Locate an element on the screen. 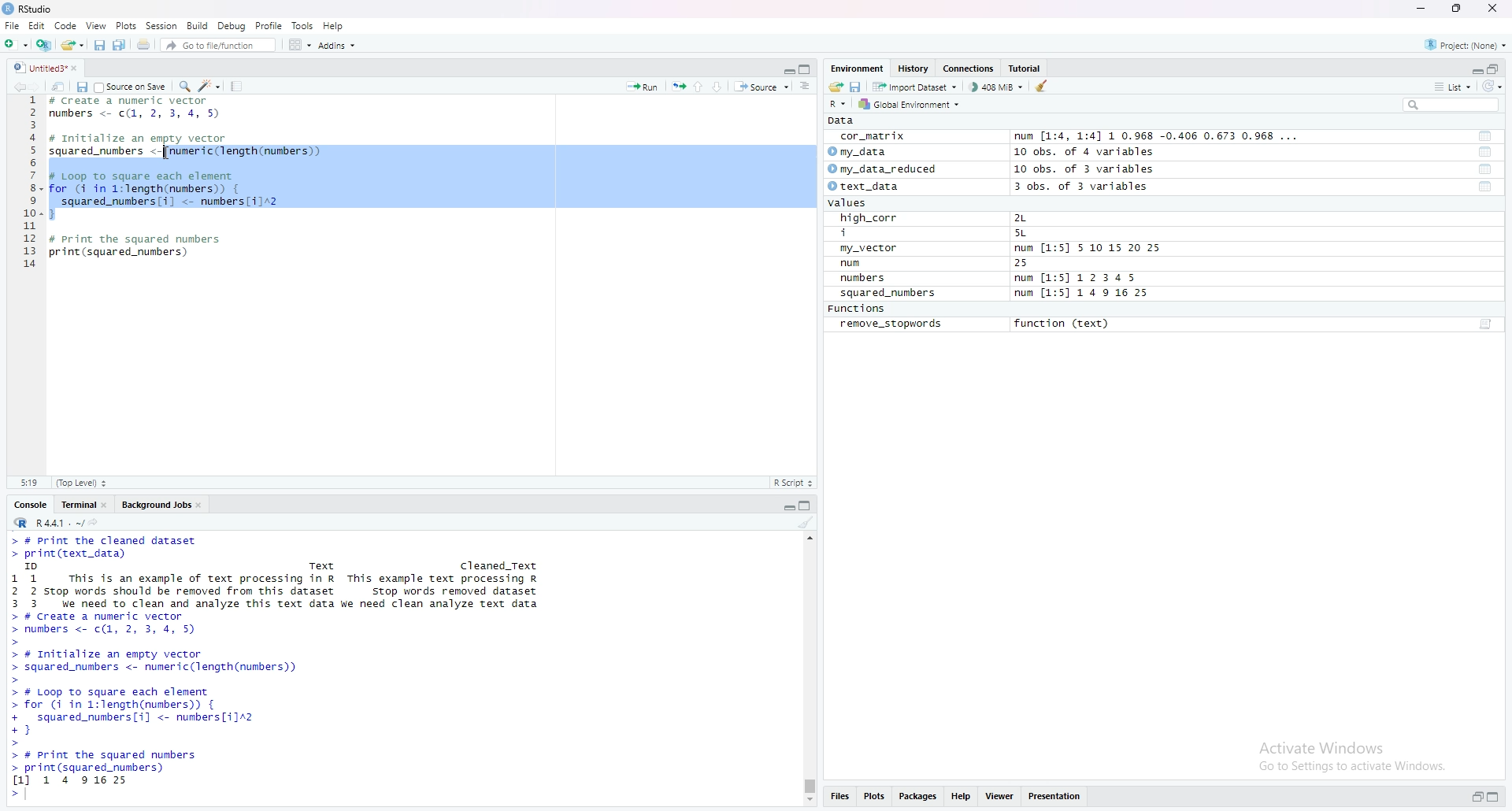 The width and height of the screenshot is (1512, 811). 25 is located at coordinates (1037, 264).